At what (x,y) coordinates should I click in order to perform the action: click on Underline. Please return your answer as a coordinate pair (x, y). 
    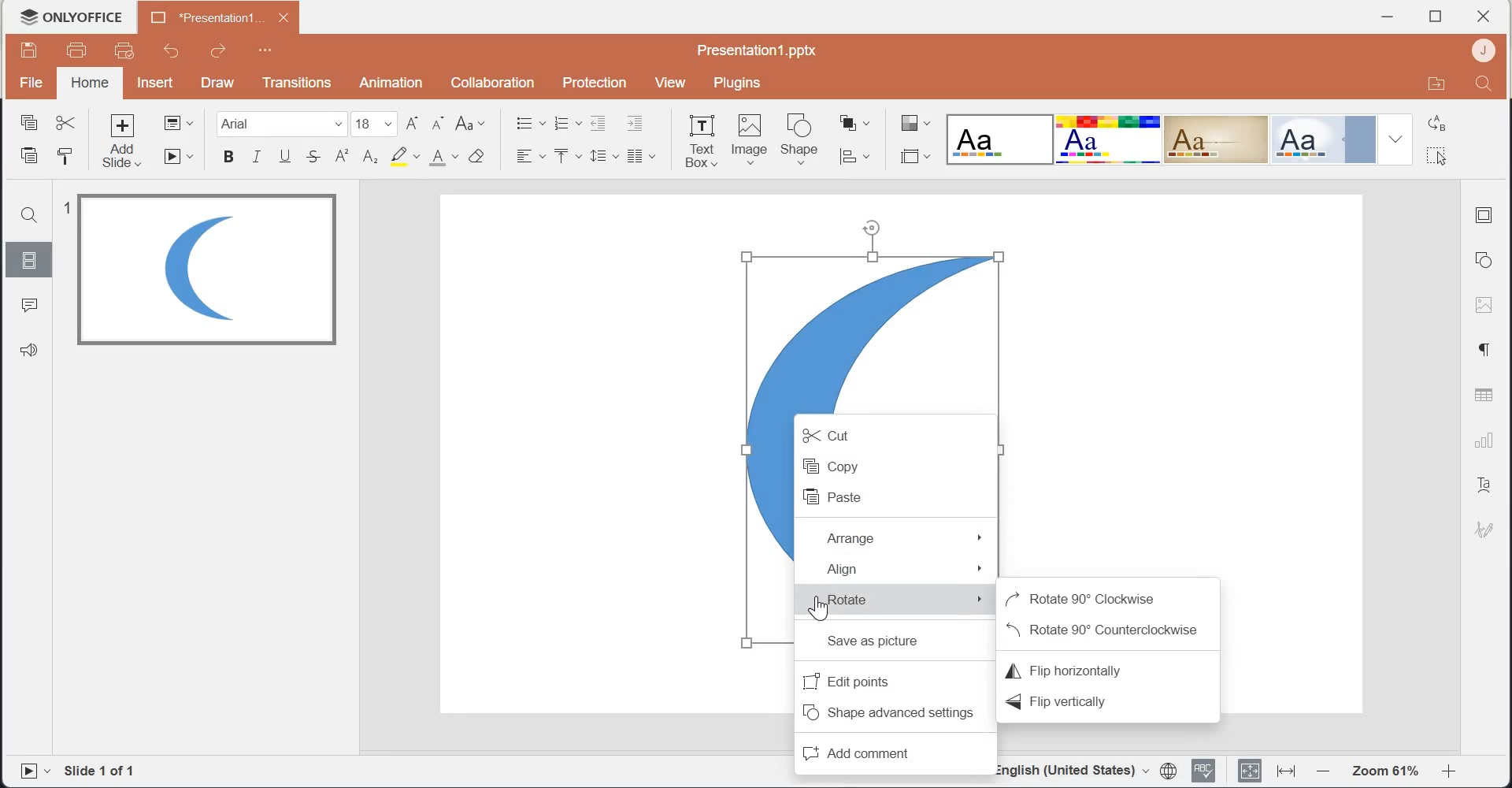
    Looking at the image, I should click on (288, 156).